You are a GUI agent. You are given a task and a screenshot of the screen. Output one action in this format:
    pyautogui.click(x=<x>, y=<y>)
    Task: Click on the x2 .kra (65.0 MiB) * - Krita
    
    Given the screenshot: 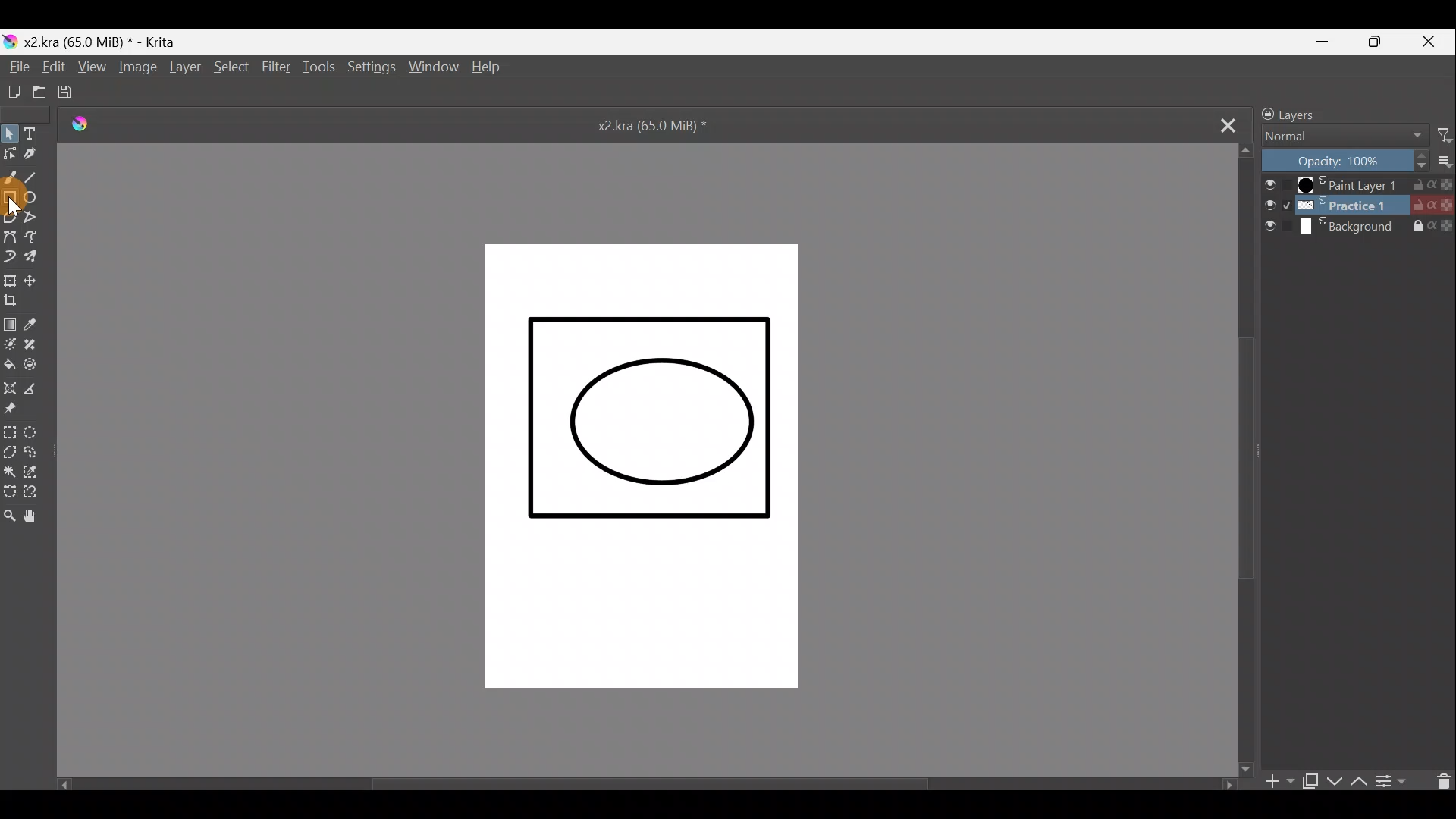 What is the action you would take?
    pyautogui.click(x=112, y=42)
    